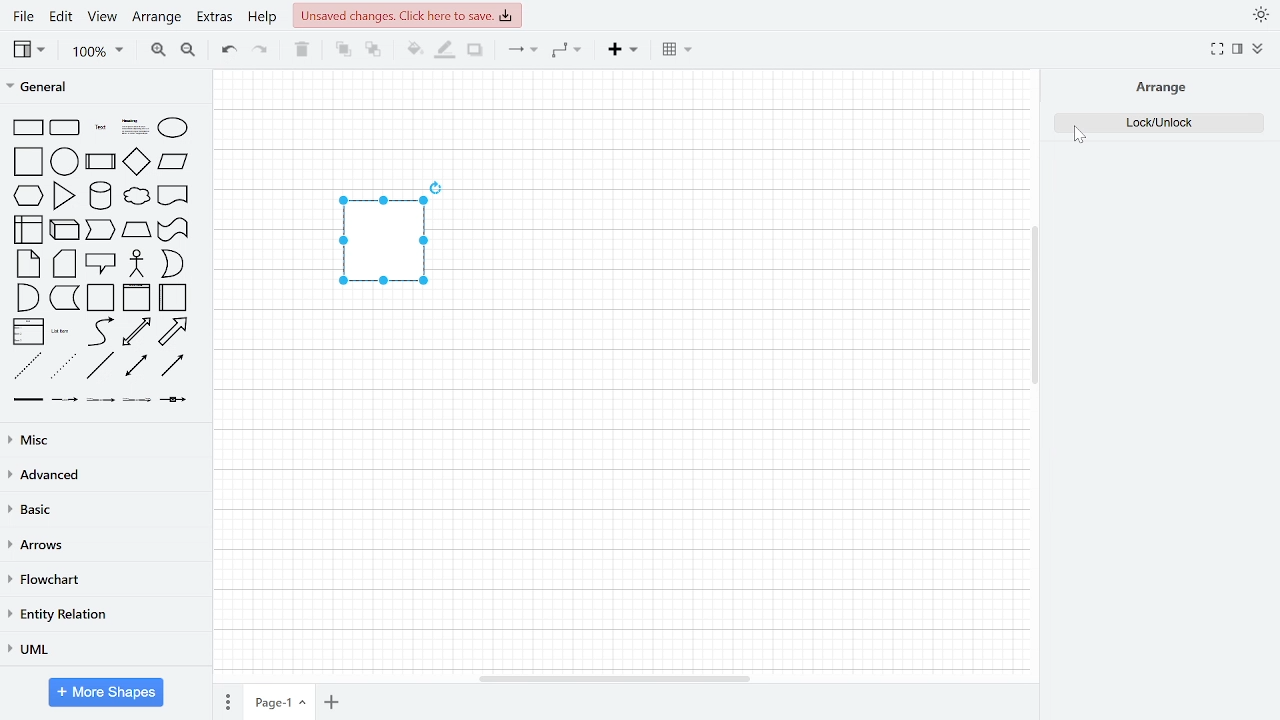  What do you see at coordinates (443, 49) in the screenshot?
I see `fill line` at bounding box center [443, 49].